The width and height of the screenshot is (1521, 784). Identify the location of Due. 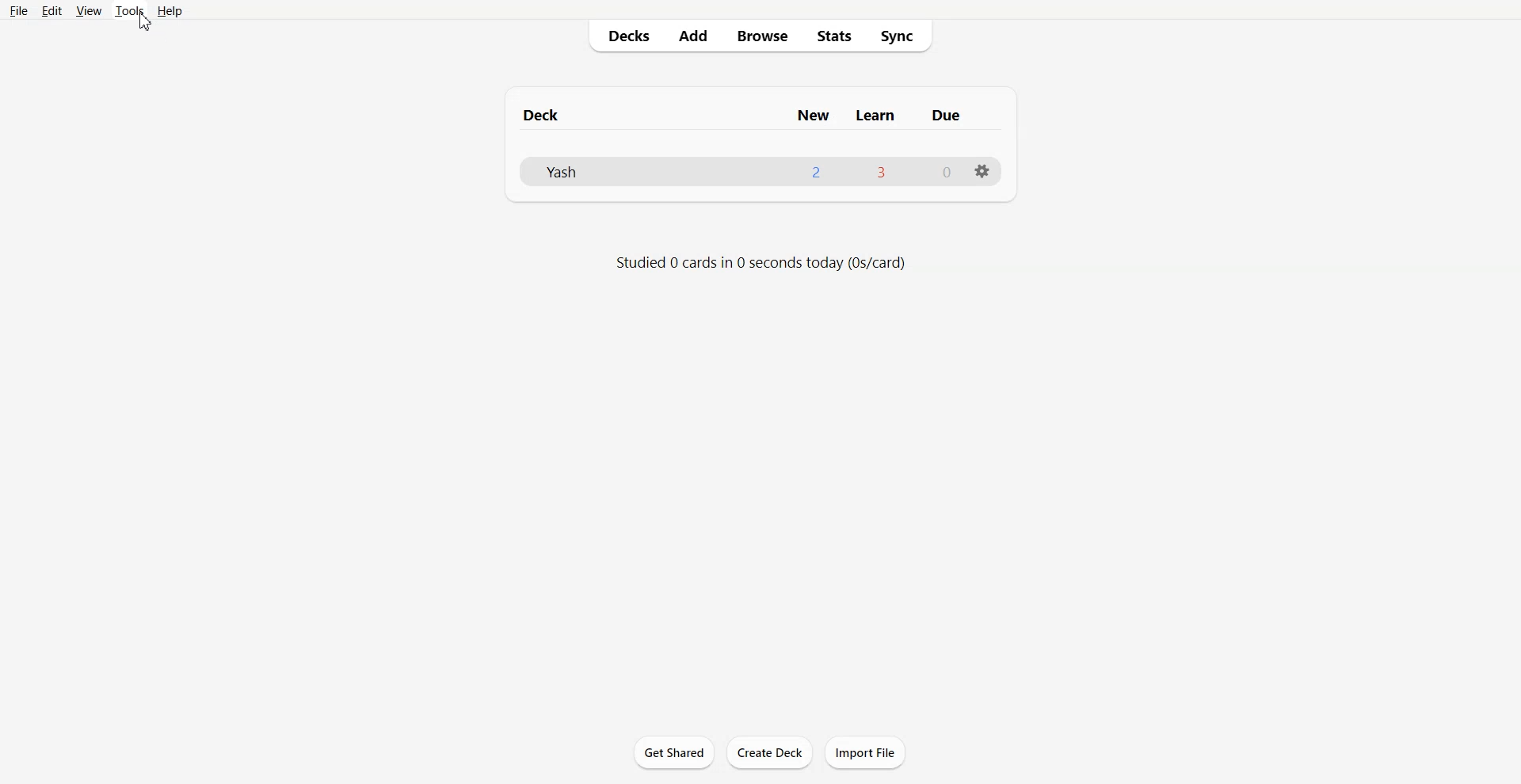
(943, 116).